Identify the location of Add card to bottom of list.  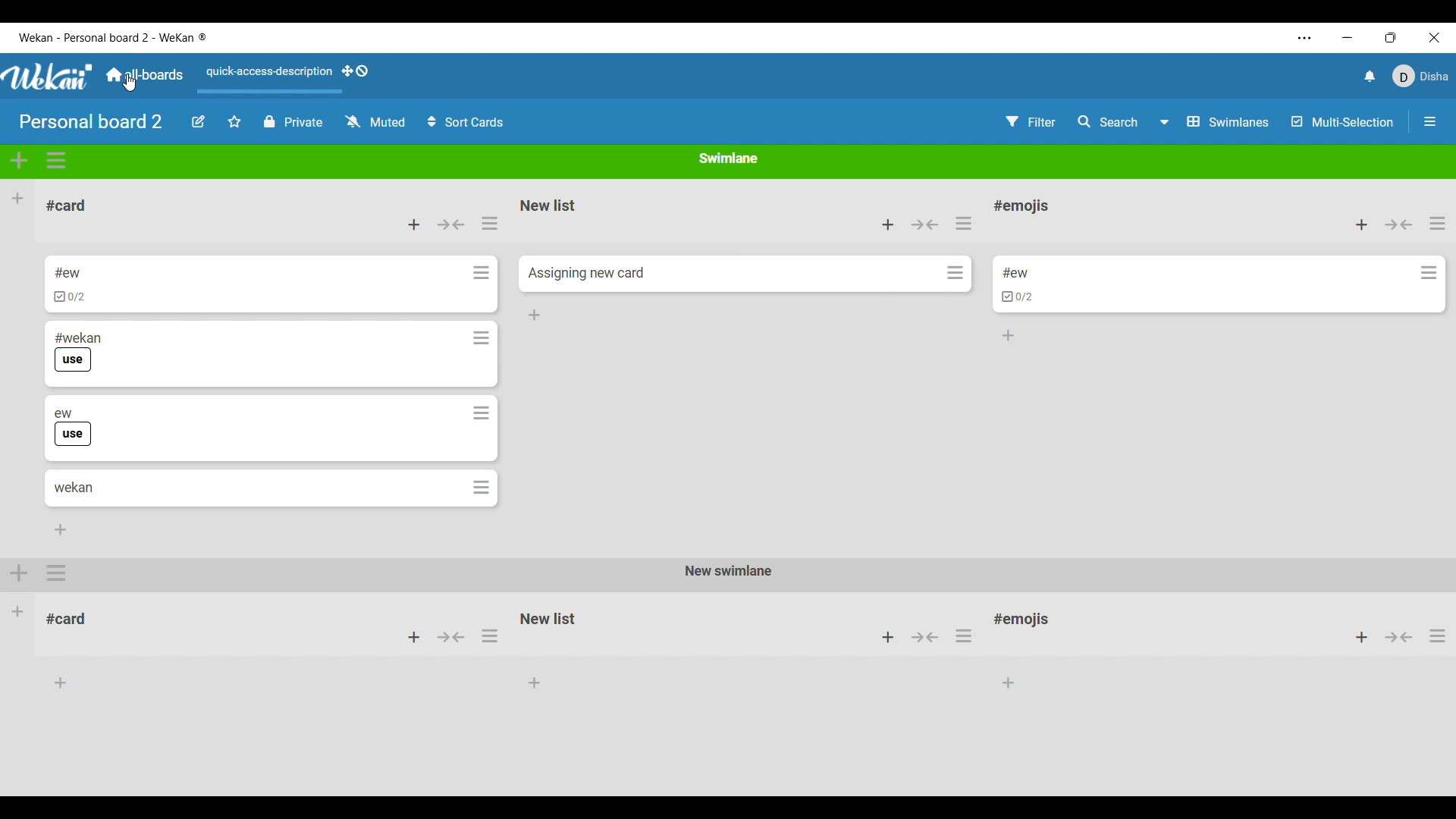
(1009, 335).